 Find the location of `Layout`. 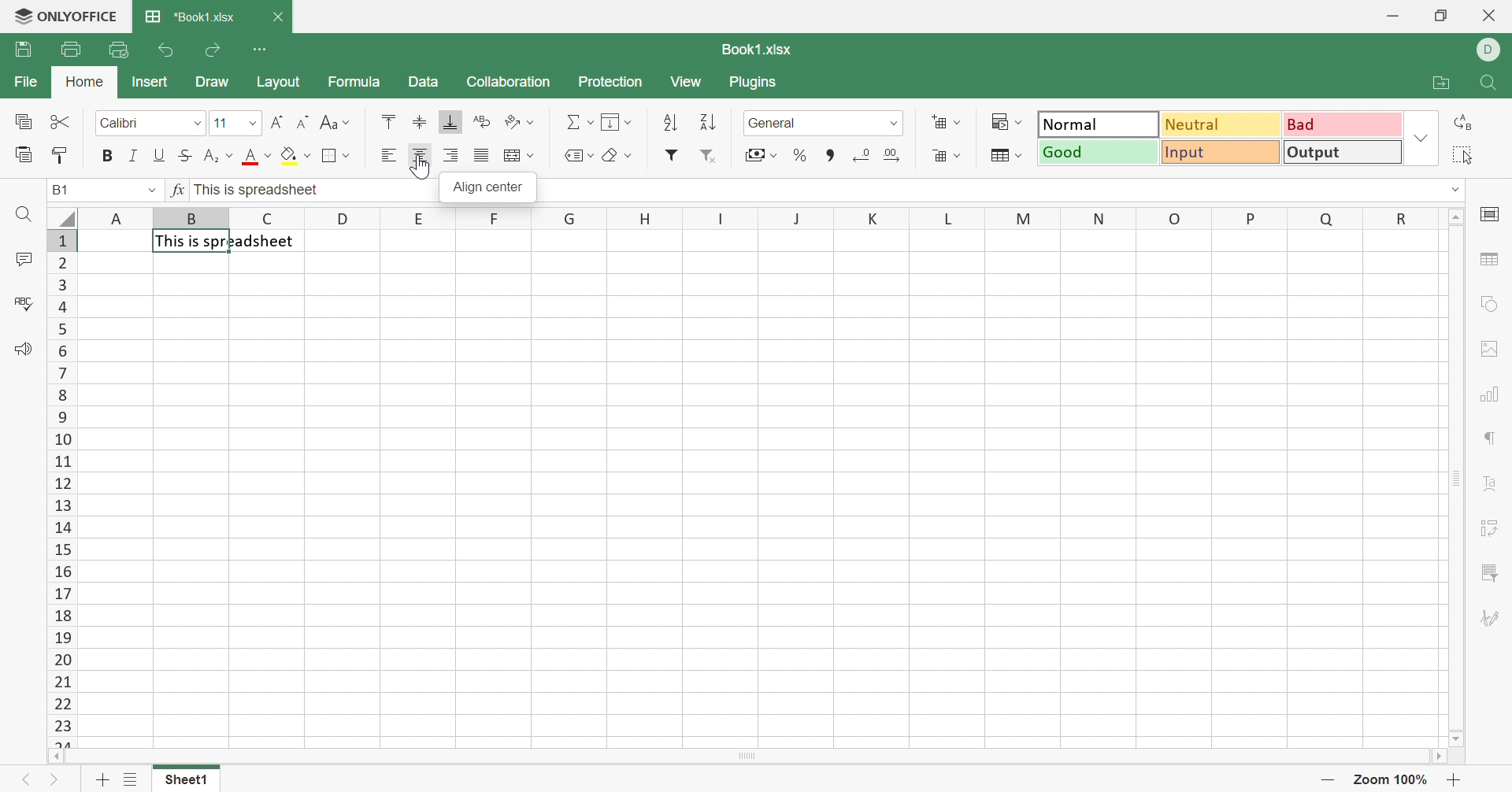

Layout is located at coordinates (282, 81).